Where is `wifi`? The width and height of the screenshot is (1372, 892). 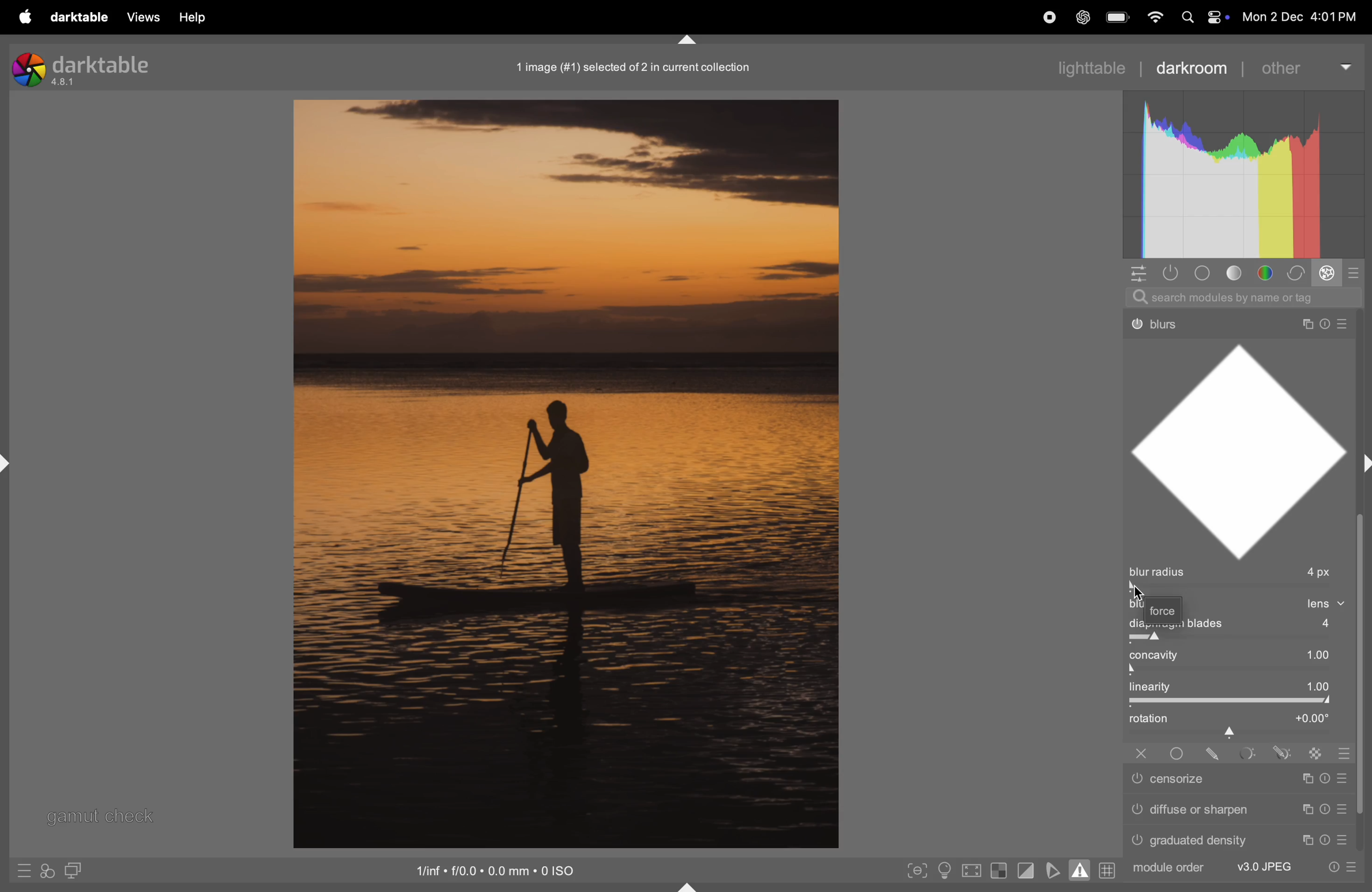 wifi is located at coordinates (1155, 17).